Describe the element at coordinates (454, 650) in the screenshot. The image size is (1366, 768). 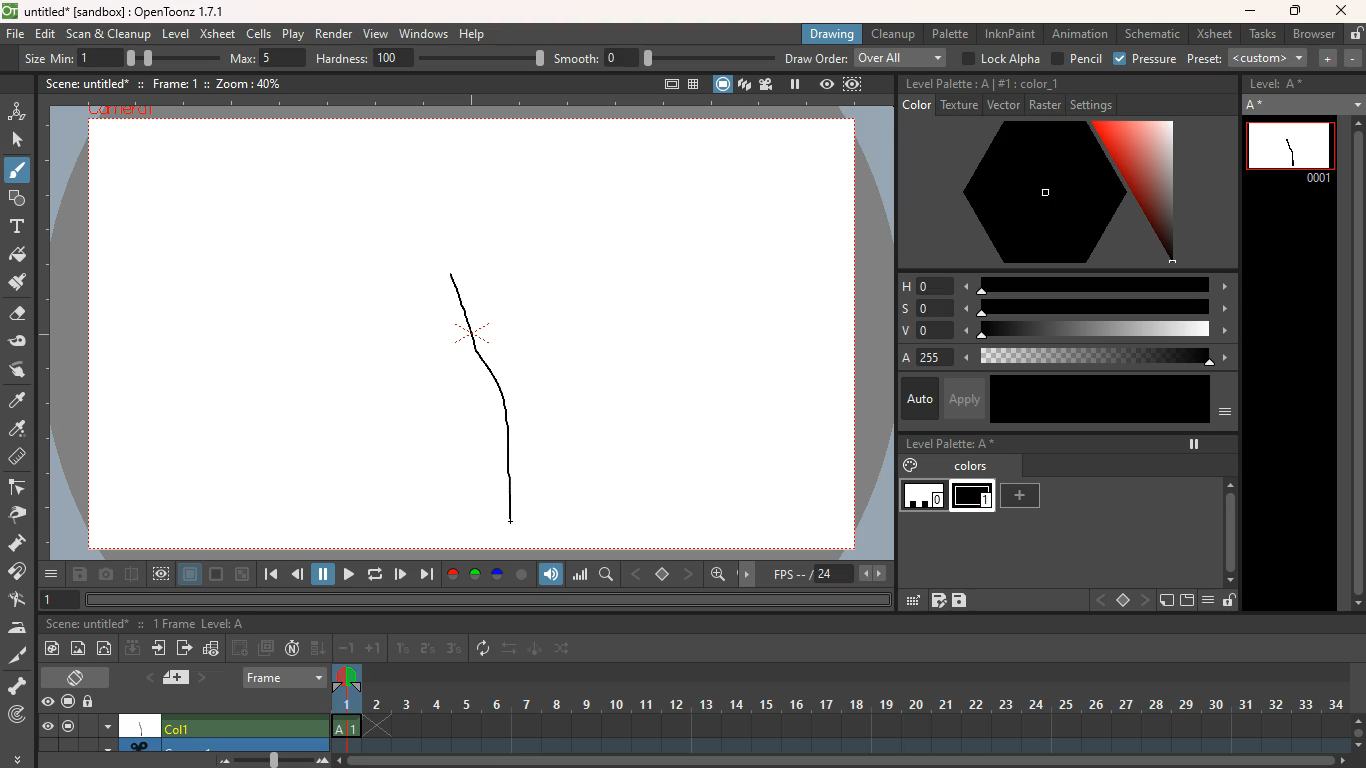
I see `3` at that location.